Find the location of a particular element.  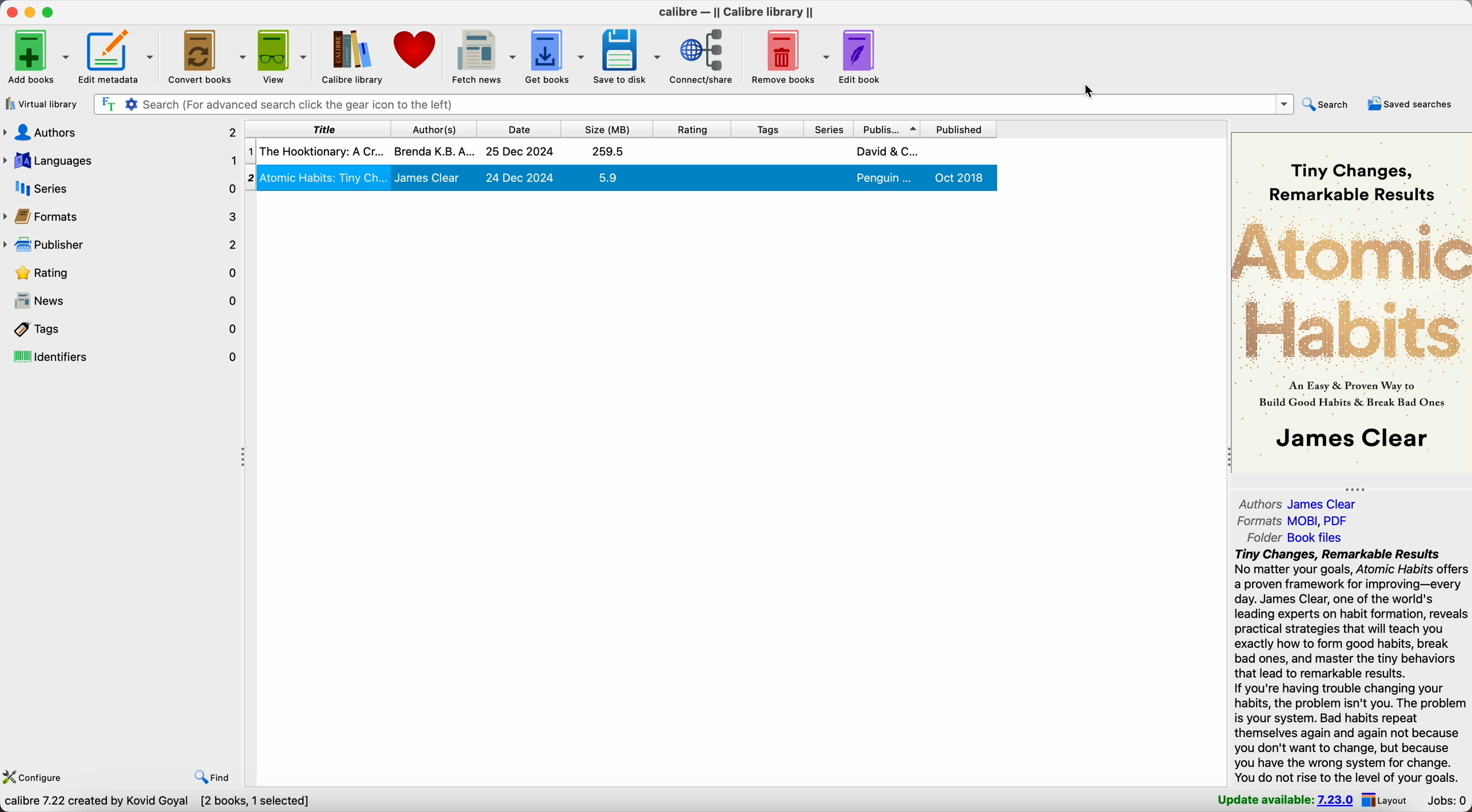

minimize is located at coordinates (30, 11).